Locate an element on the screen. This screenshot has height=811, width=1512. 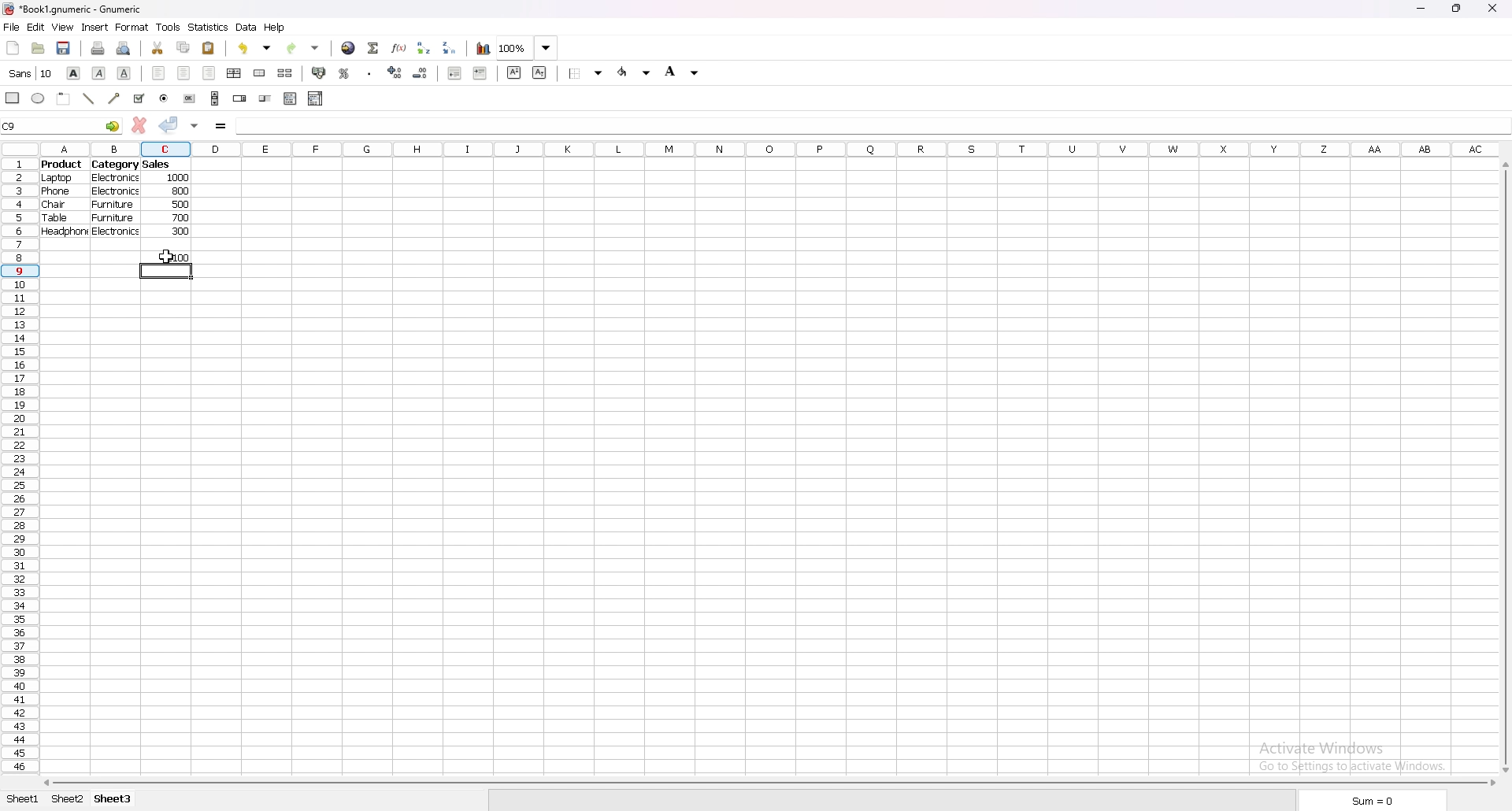
chair is located at coordinates (54, 204).